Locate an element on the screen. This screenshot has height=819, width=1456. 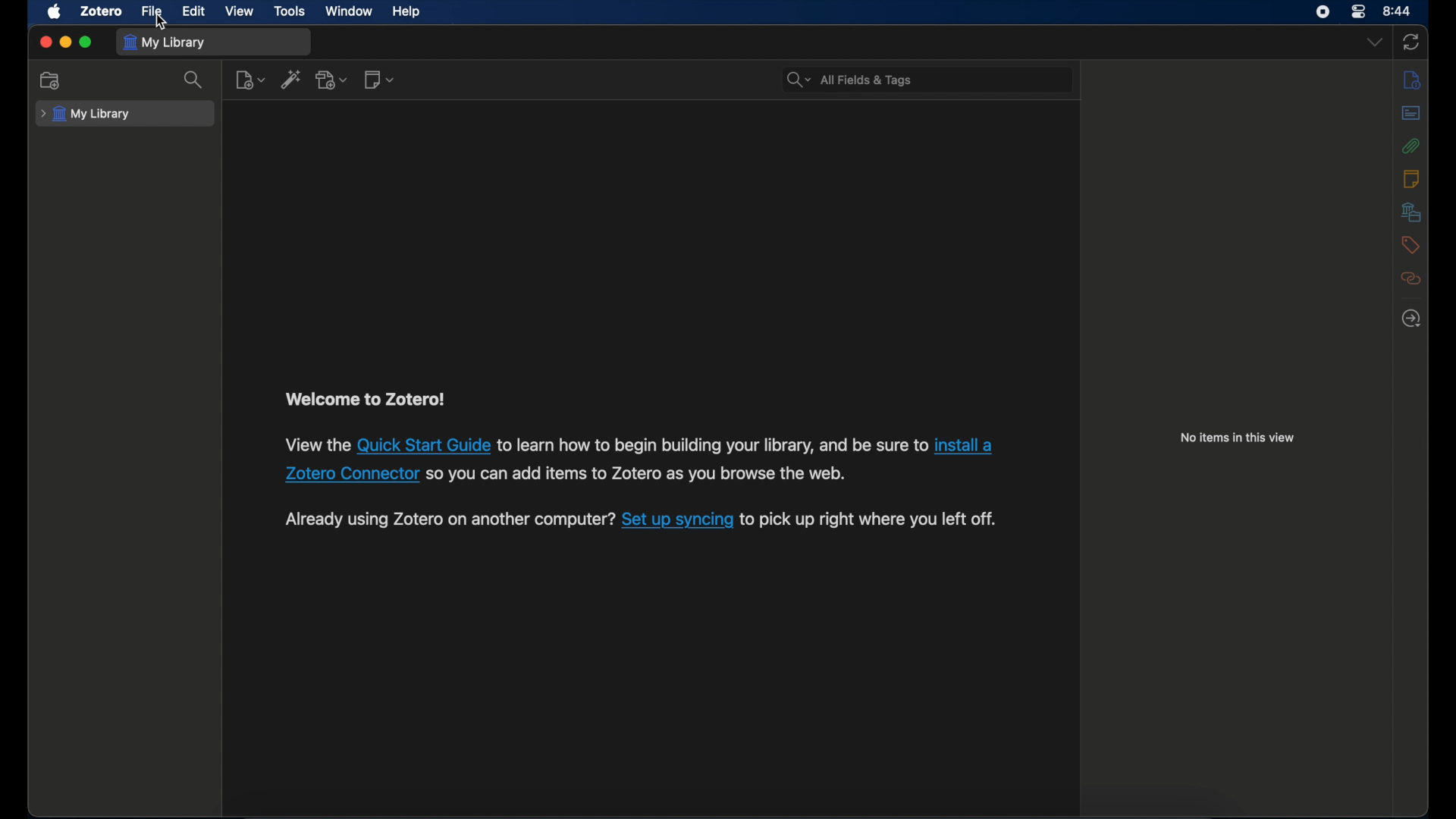
screen recorder is located at coordinates (1323, 12).